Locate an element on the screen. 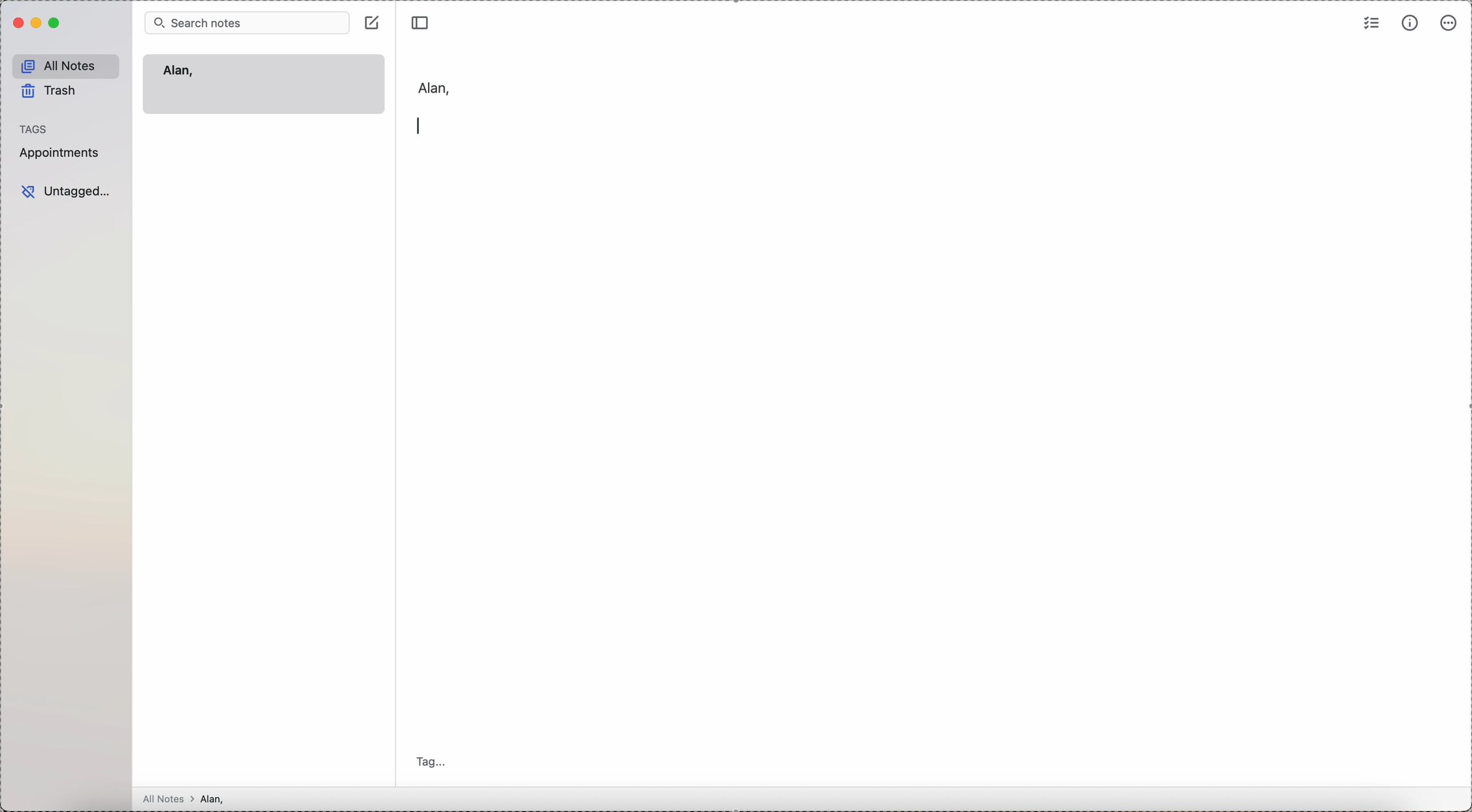 Image resolution: width=1472 pixels, height=812 pixels. more options is located at coordinates (1449, 23).